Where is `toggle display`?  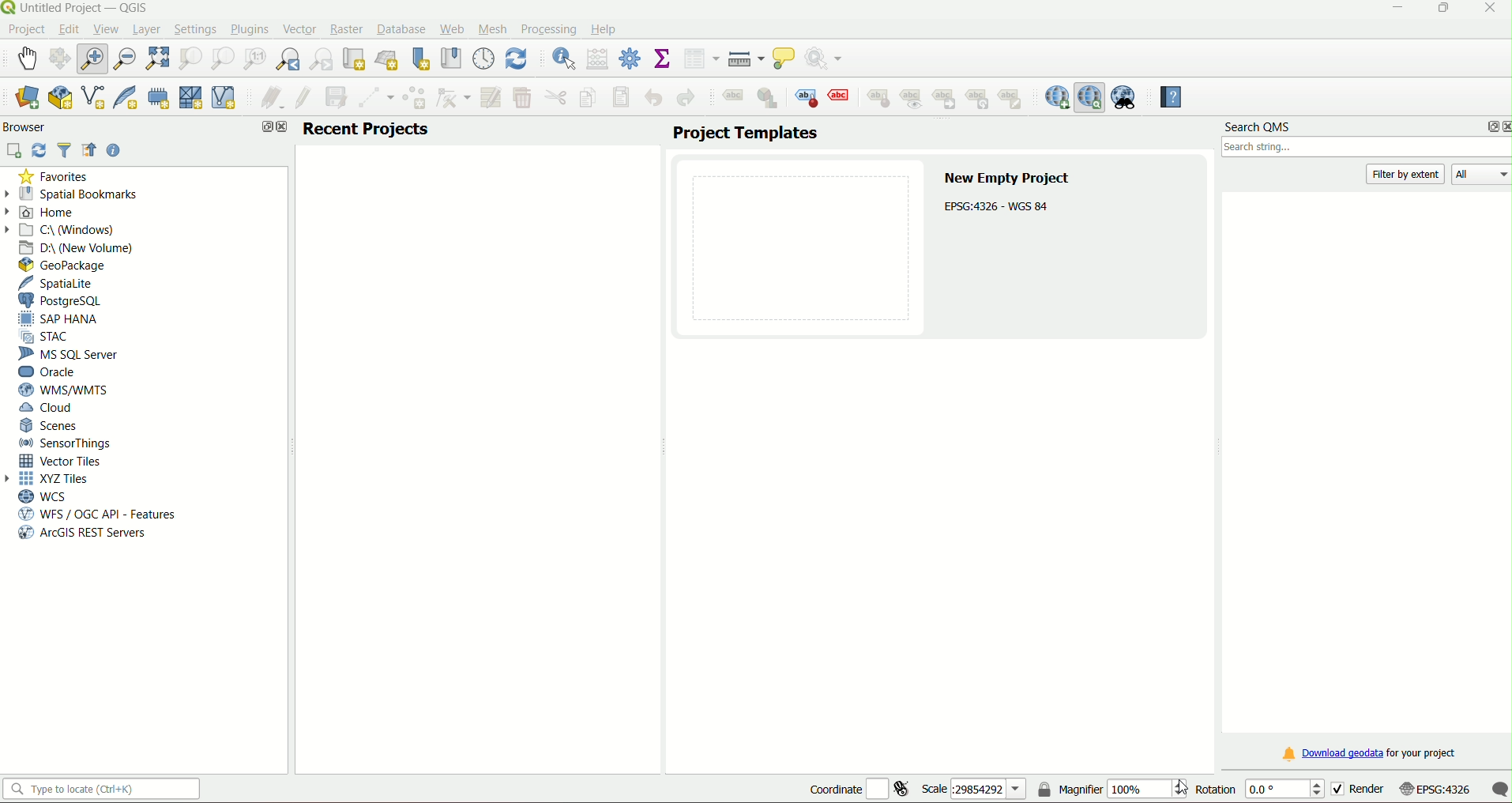 toggle display is located at coordinates (841, 96).